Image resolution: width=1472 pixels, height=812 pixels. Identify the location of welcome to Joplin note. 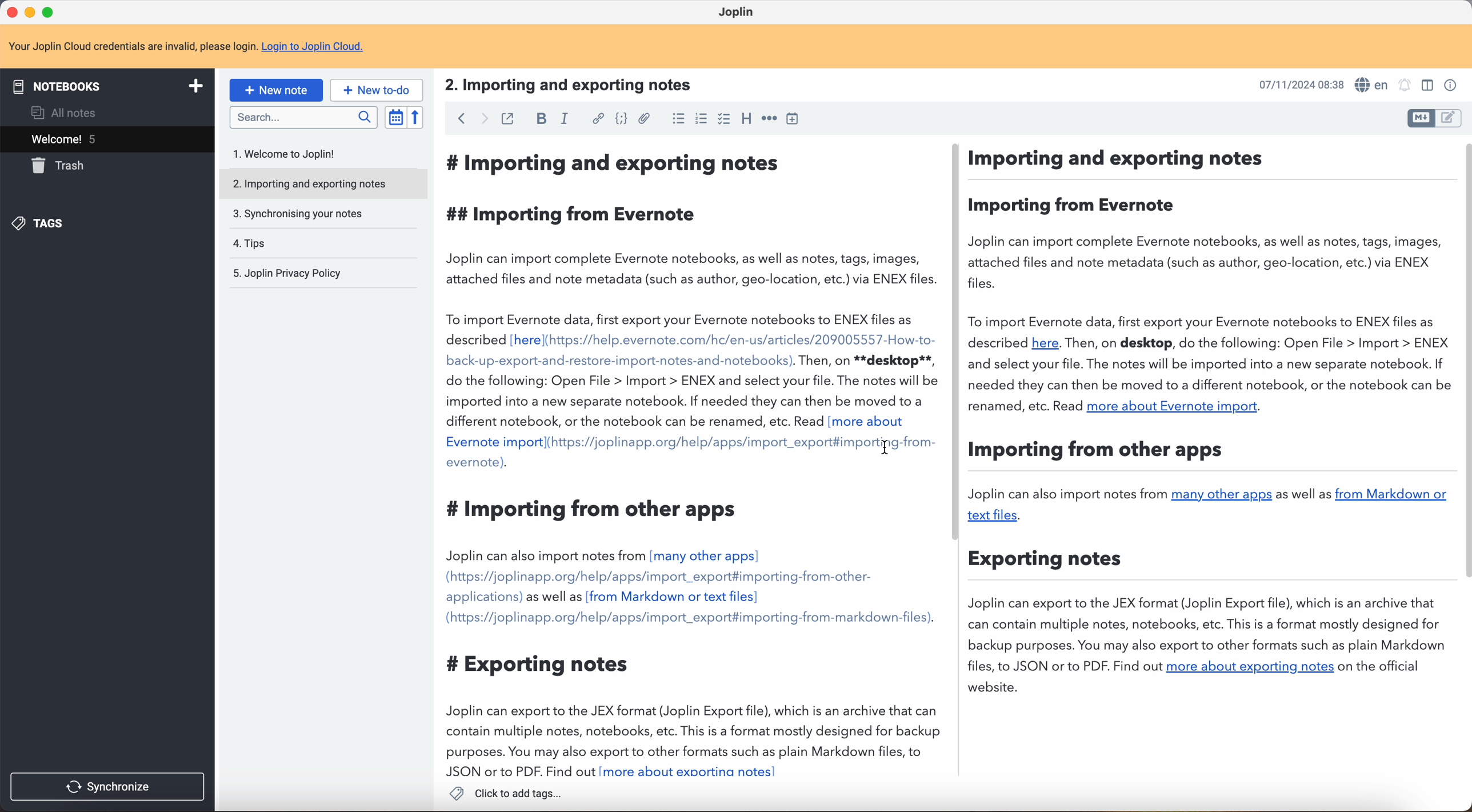
(290, 154).